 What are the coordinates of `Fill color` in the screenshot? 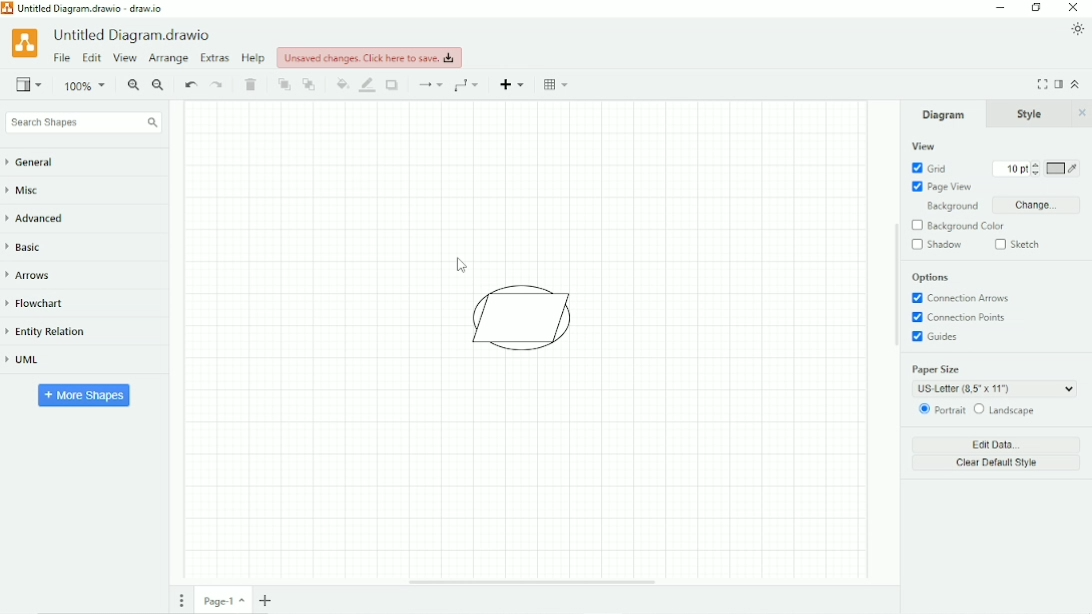 It's located at (342, 84).